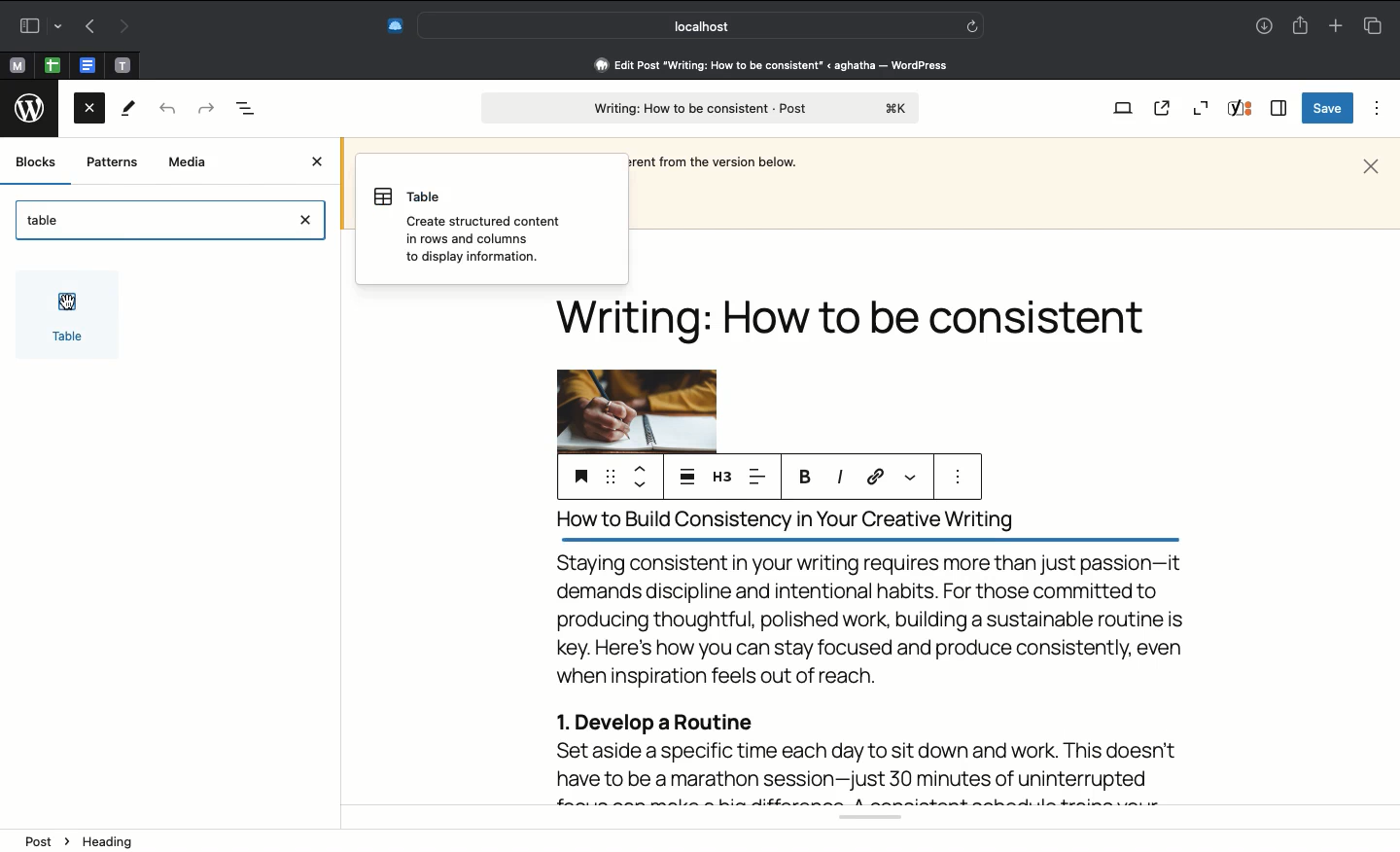 The image size is (1400, 852). I want to click on Add new tab, so click(1338, 25).